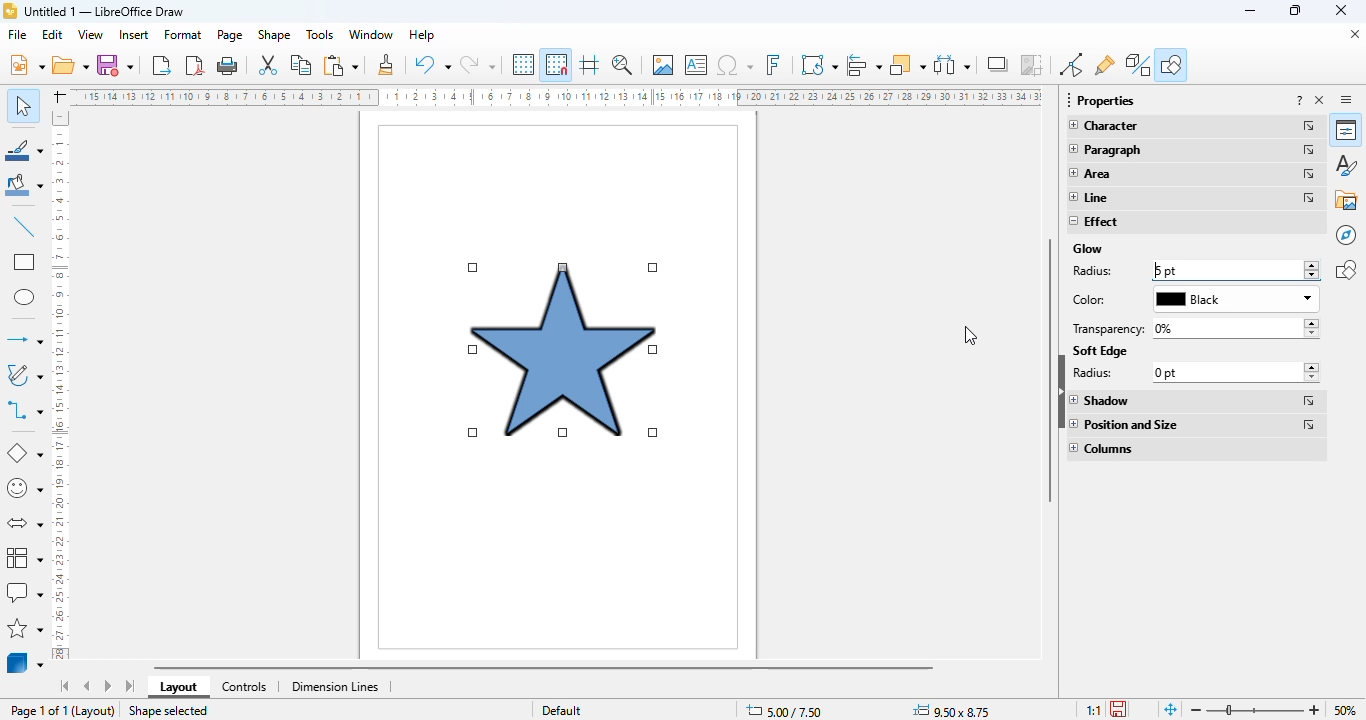  I want to click on scroll to first sheet, so click(64, 686).